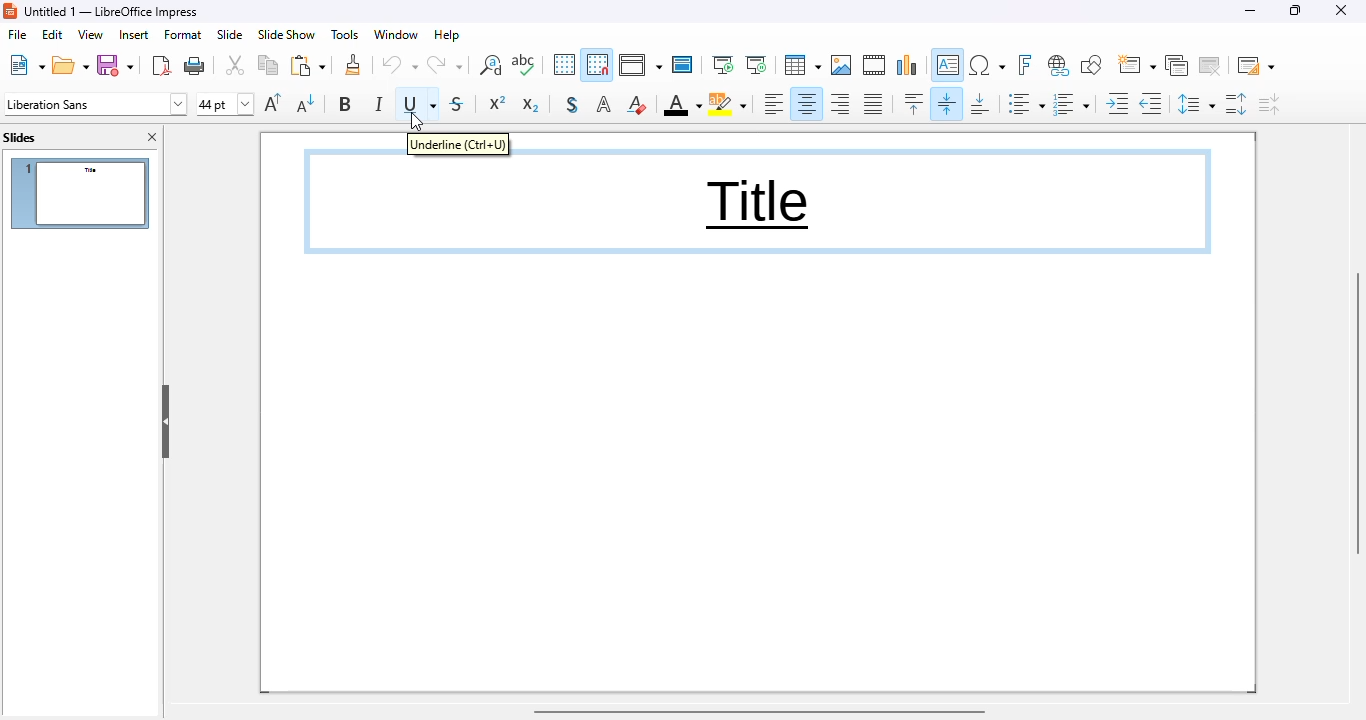 This screenshot has height=720, width=1366. What do you see at coordinates (344, 35) in the screenshot?
I see `tools` at bounding box center [344, 35].